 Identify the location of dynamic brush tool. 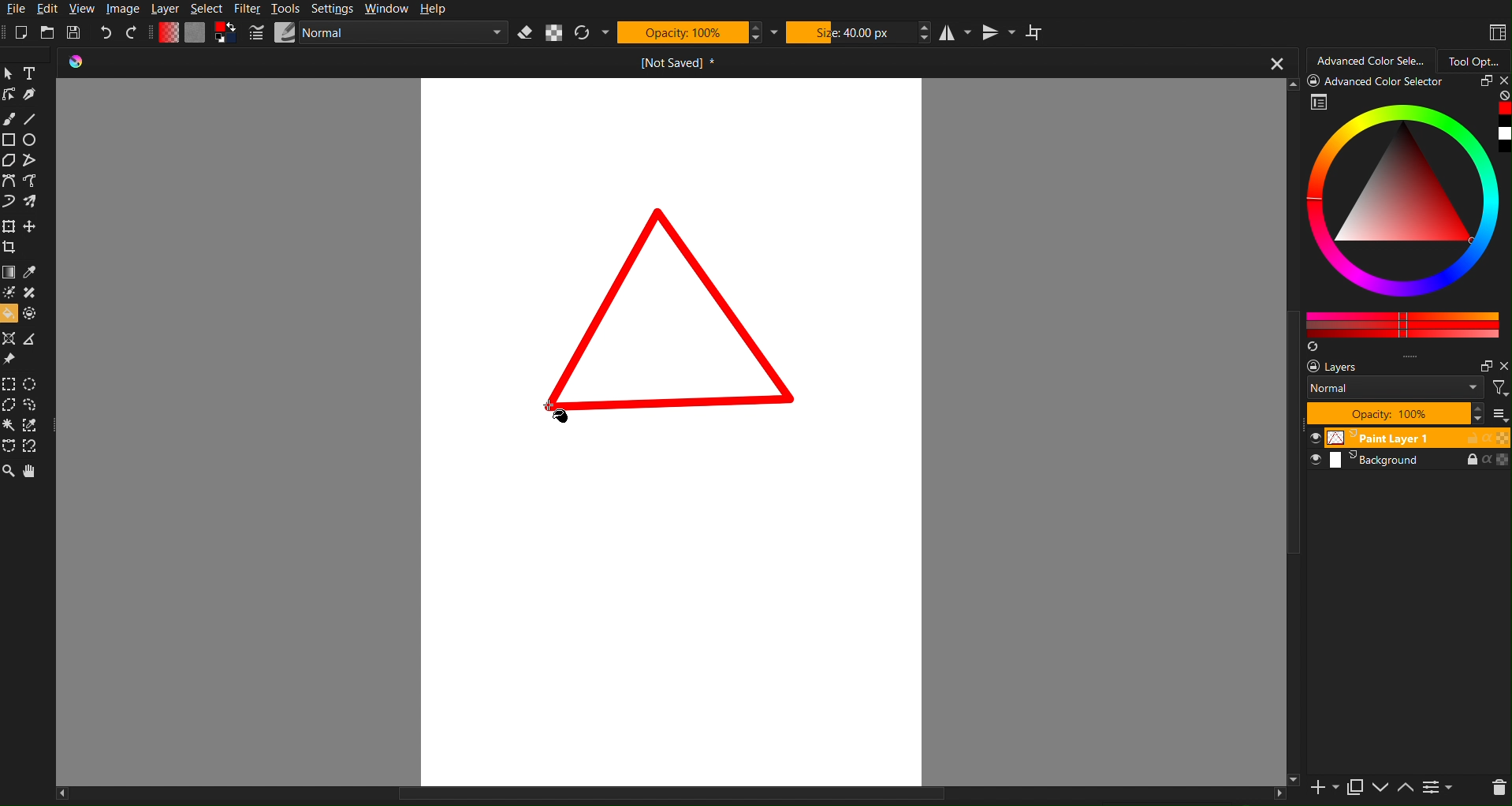
(9, 202).